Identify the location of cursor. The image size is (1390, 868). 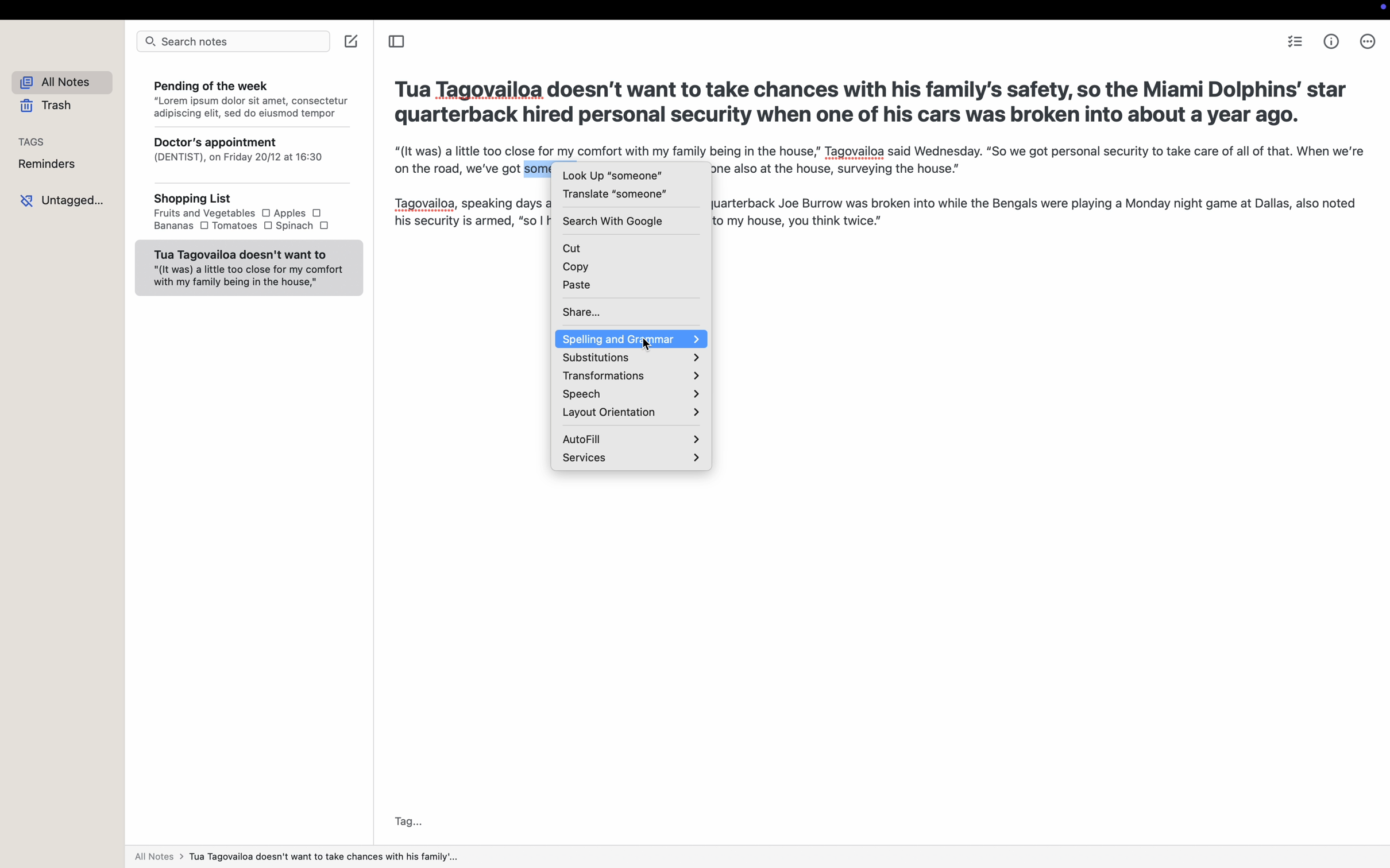
(650, 345).